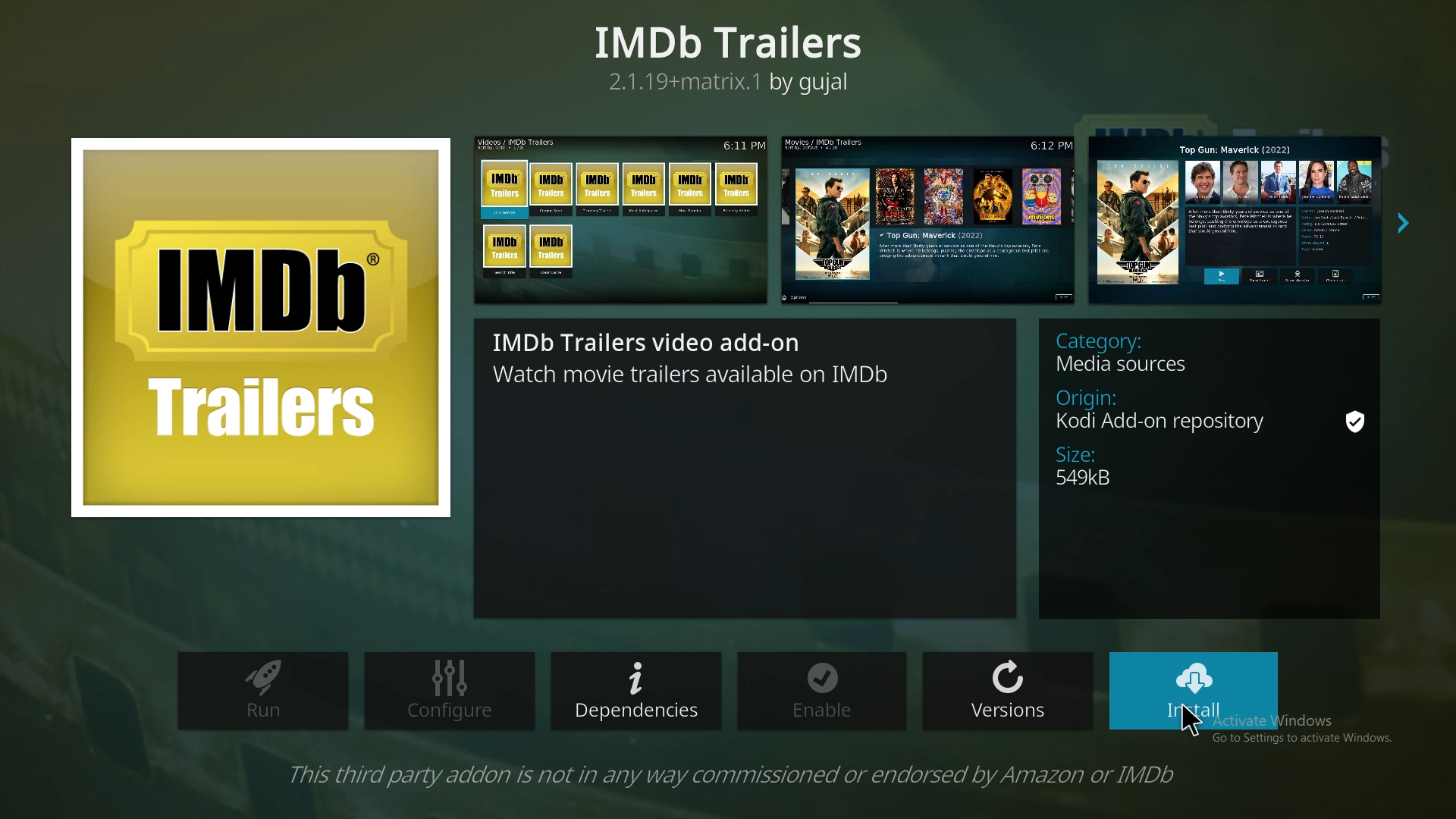  I want to click on configure, so click(447, 691).